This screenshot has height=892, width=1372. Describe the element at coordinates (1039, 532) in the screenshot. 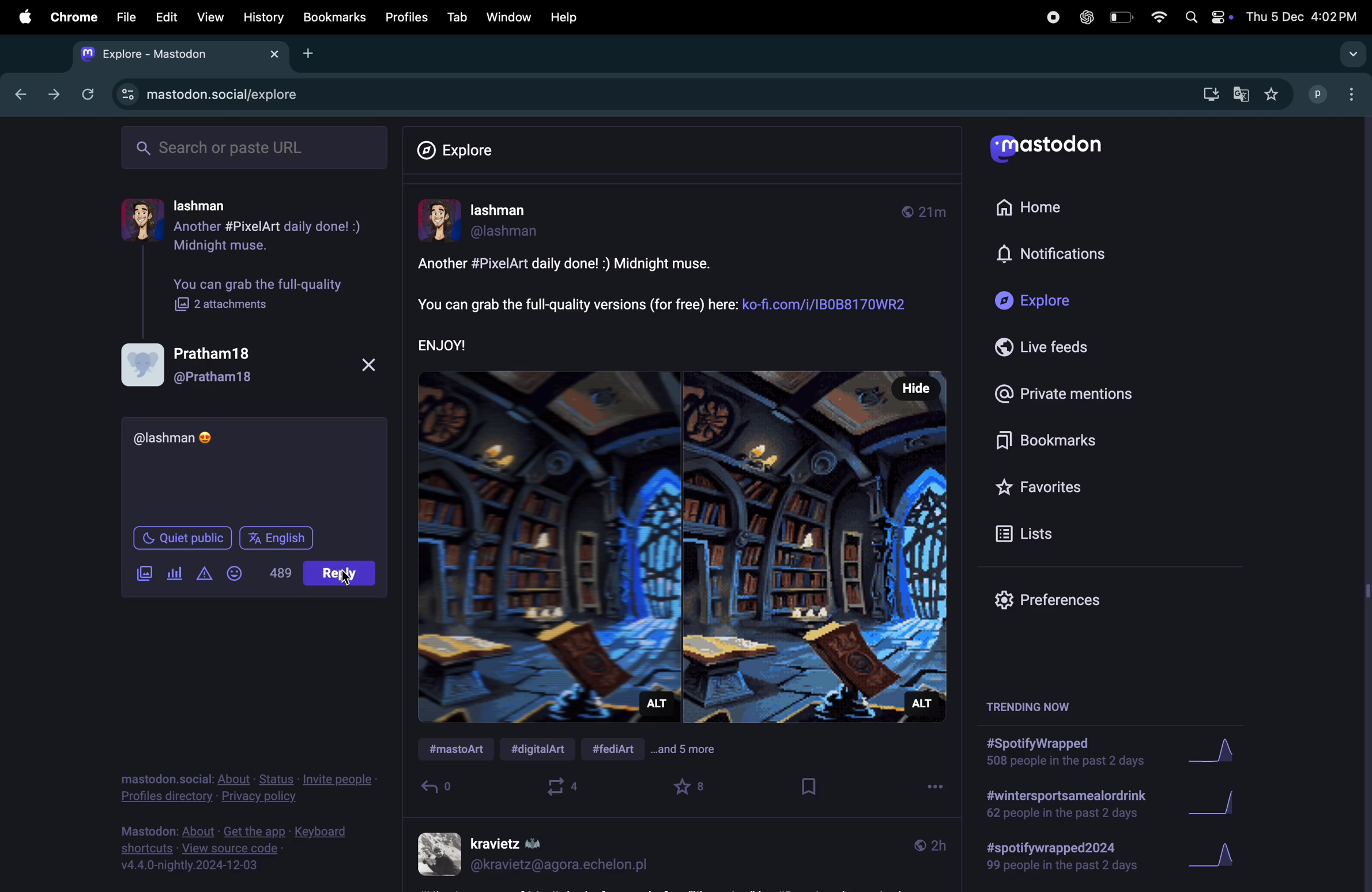

I see `lists` at that location.